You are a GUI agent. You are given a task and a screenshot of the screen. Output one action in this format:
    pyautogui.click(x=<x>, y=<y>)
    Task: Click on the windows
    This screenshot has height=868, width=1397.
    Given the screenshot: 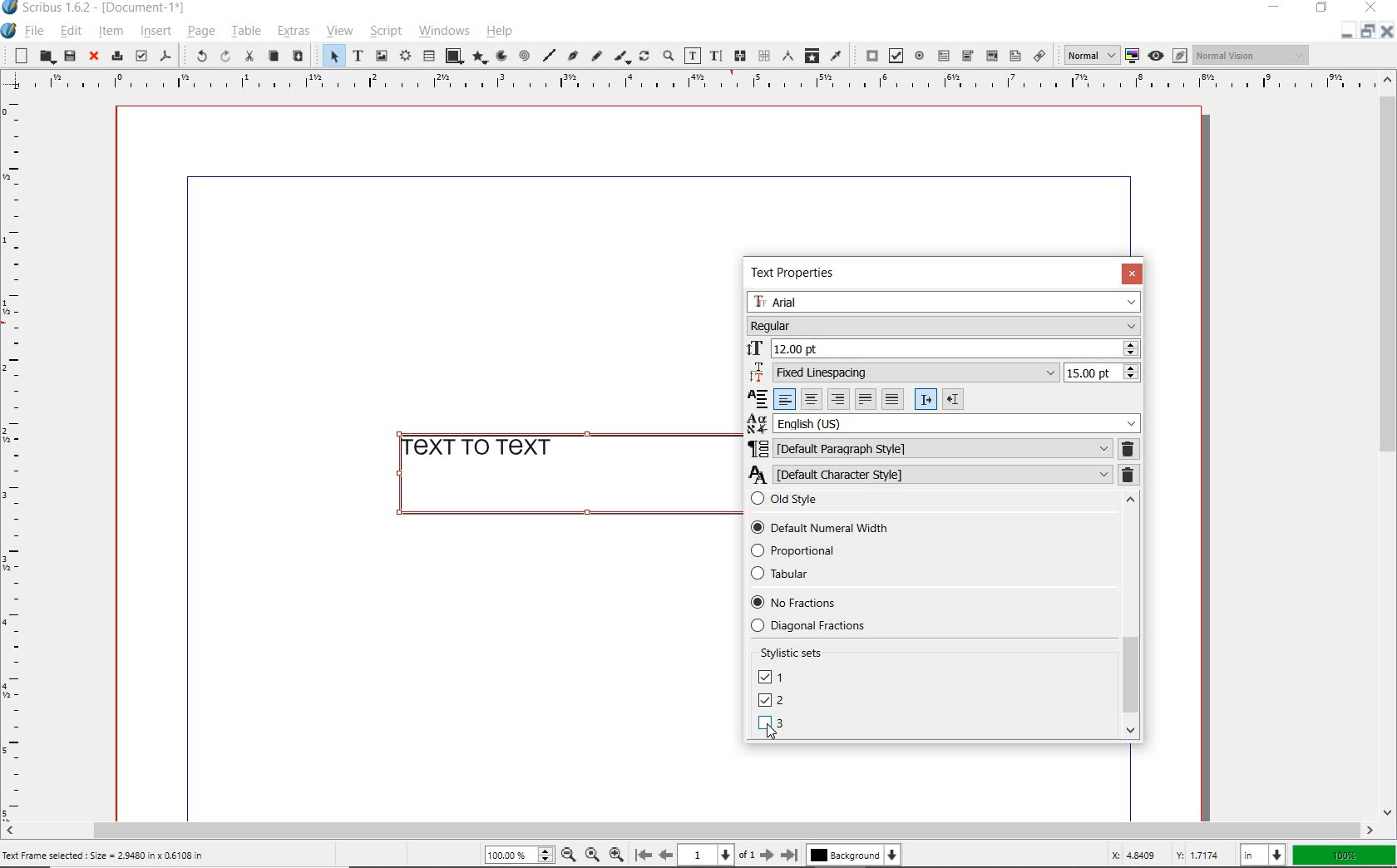 What is the action you would take?
    pyautogui.click(x=445, y=32)
    